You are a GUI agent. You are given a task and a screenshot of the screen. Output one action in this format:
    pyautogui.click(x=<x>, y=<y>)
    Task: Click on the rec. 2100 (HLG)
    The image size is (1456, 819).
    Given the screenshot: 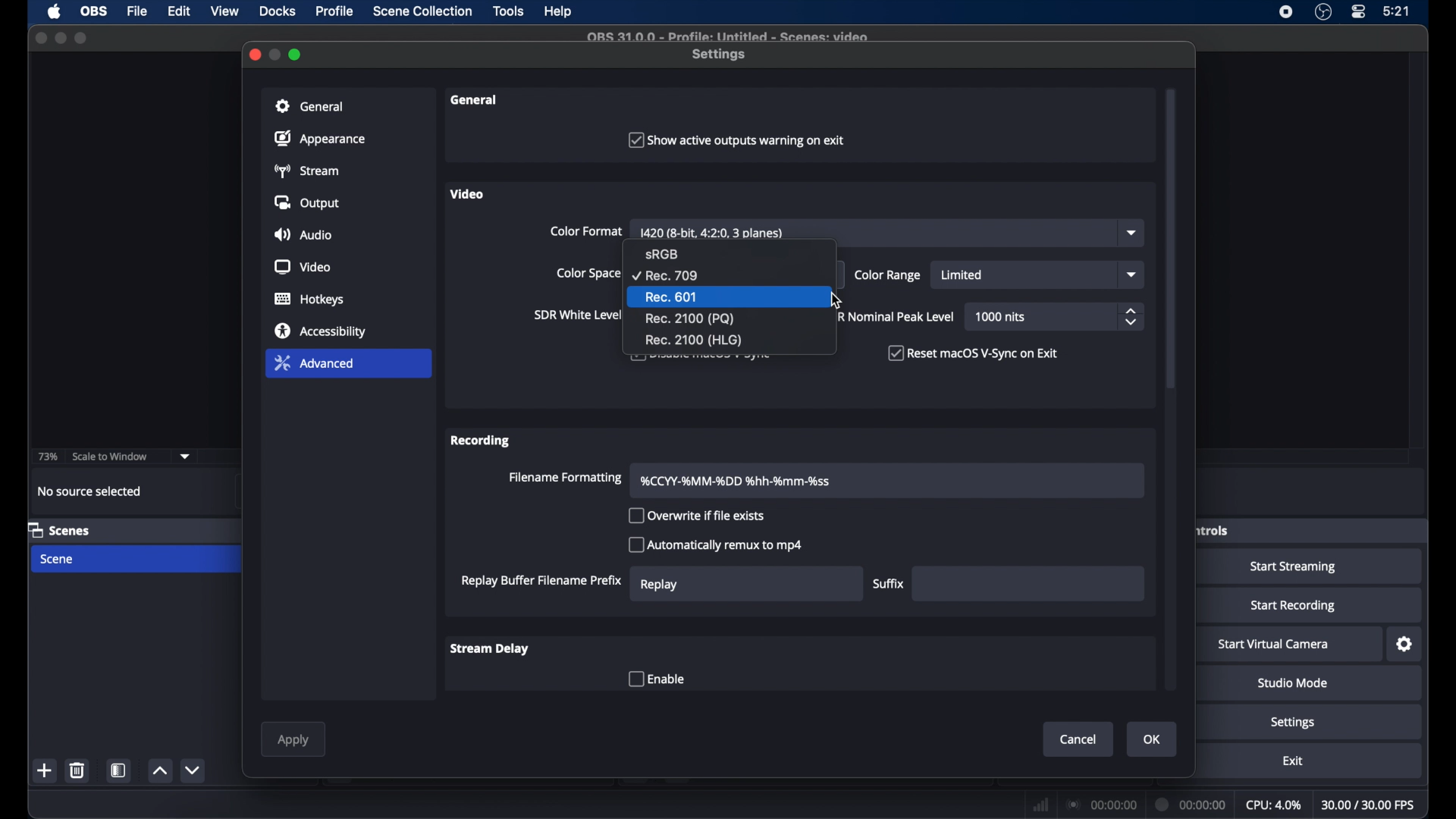 What is the action you would take?
    pyautogui.click(x=695, y=340)
    